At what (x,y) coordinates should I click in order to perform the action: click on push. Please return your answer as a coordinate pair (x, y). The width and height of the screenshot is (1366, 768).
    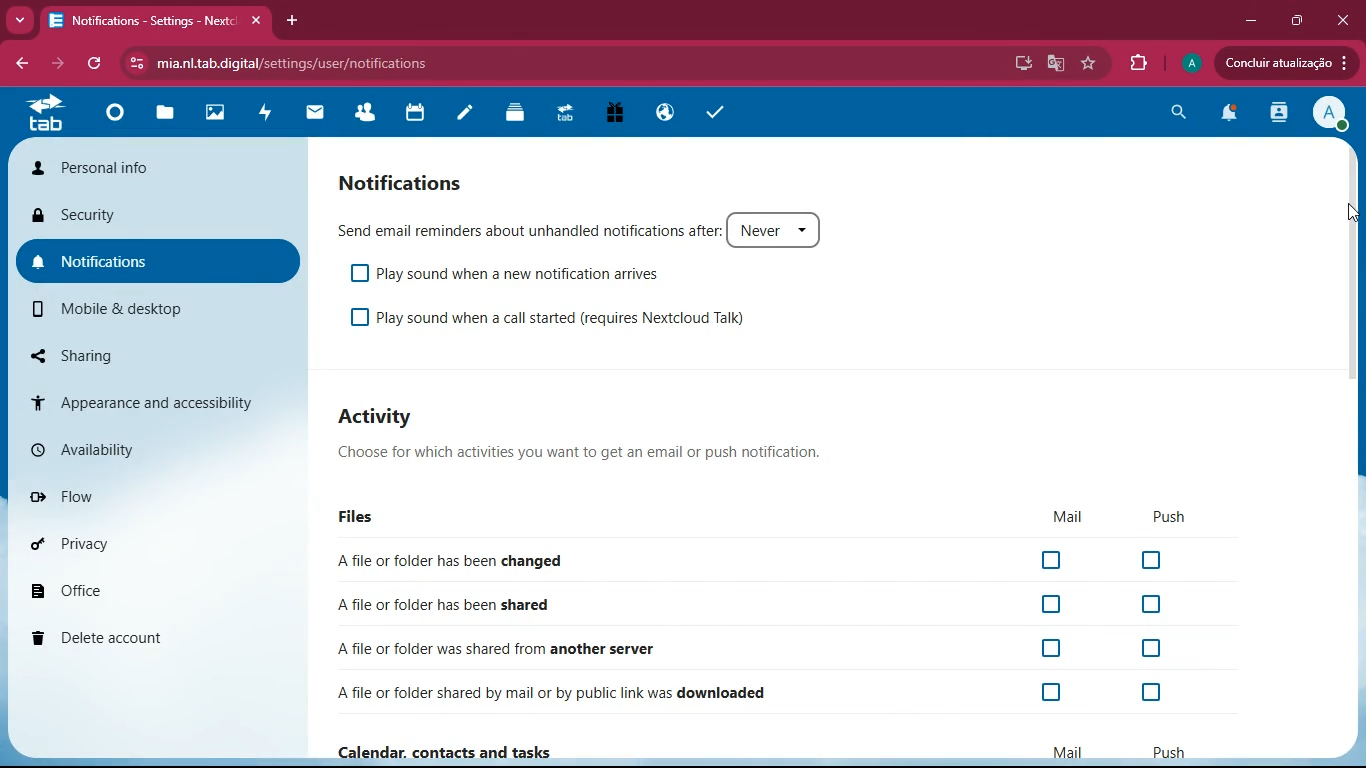
    Looking at the image, I should click on (1170, 516).